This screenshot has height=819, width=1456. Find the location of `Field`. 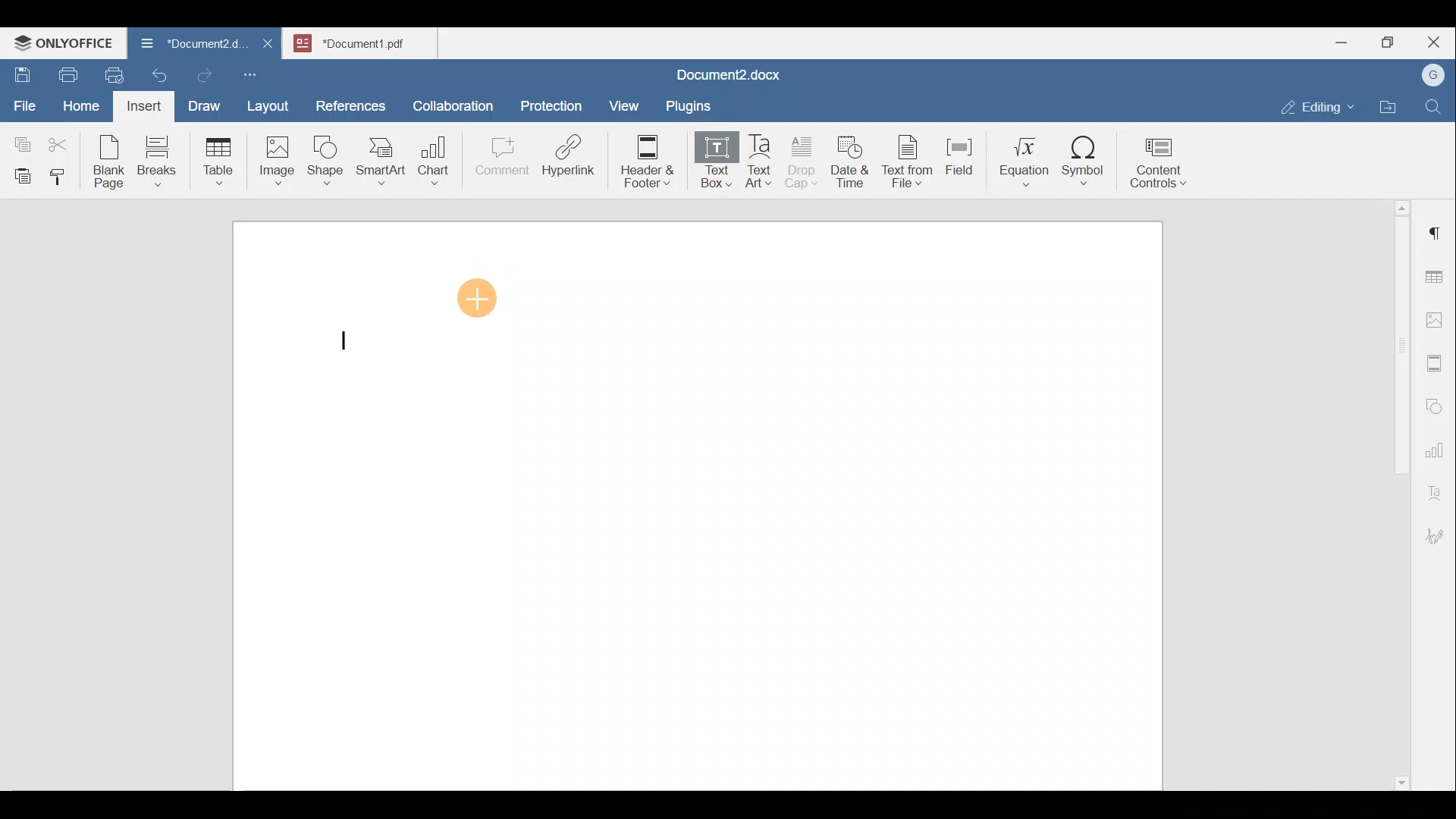

Field is located at coordinates (959, 154).